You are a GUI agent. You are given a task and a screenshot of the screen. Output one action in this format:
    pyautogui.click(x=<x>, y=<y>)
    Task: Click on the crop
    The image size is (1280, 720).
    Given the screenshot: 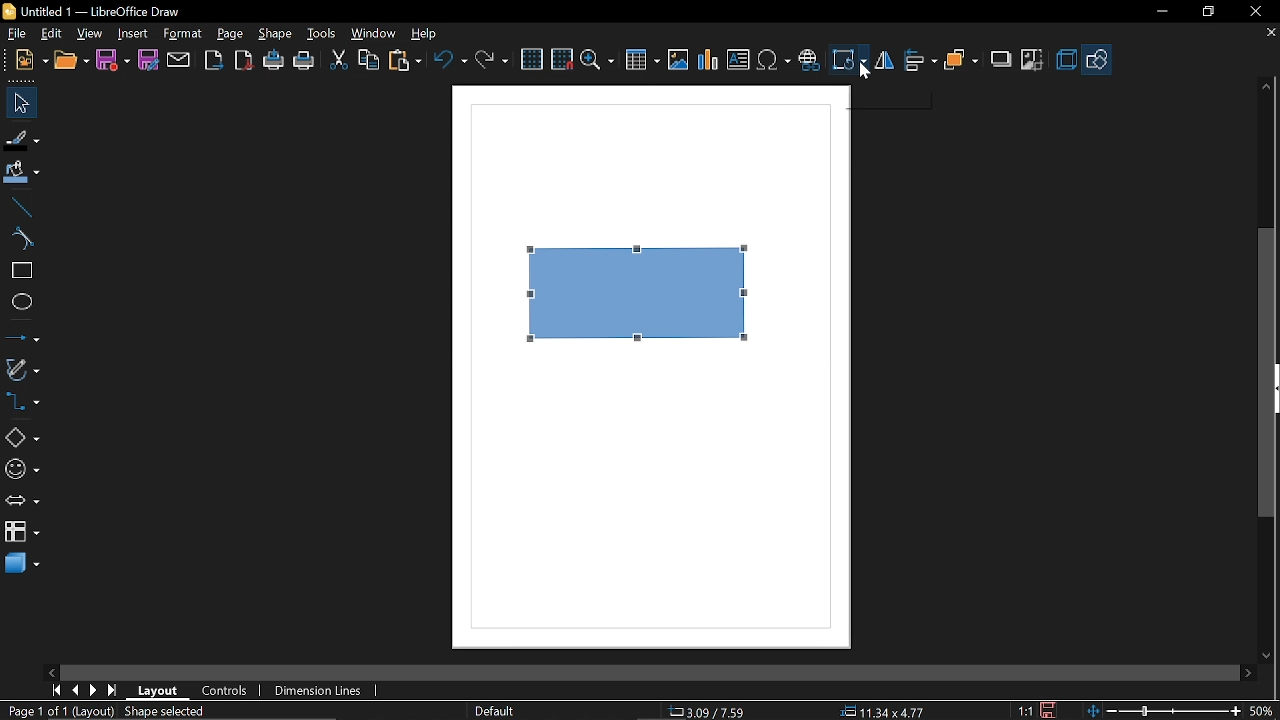 What is the action you would take?
    pyautogui.click(x=1033, y=58)
    